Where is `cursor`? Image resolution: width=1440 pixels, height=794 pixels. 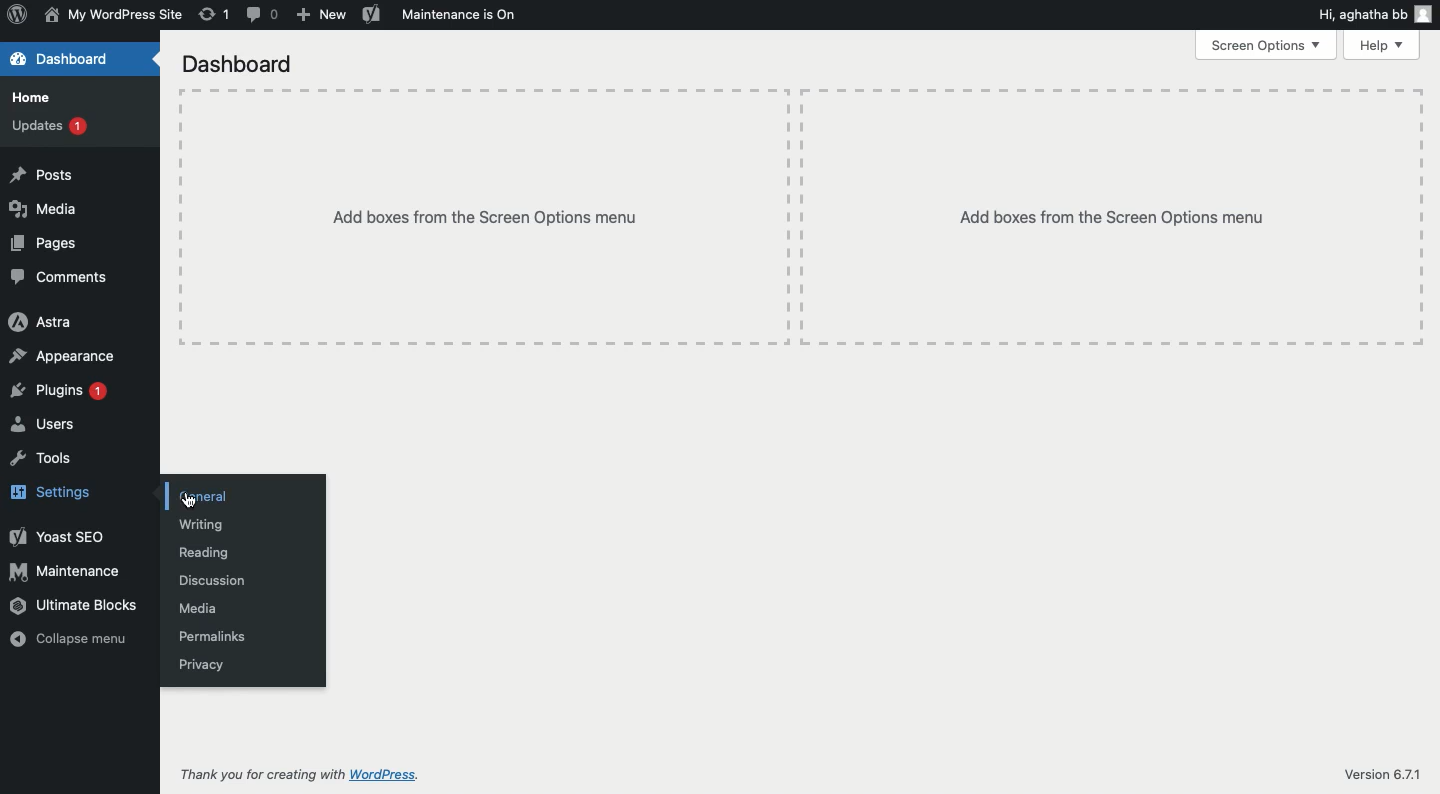
cursor is located at coordinates (189, 503).